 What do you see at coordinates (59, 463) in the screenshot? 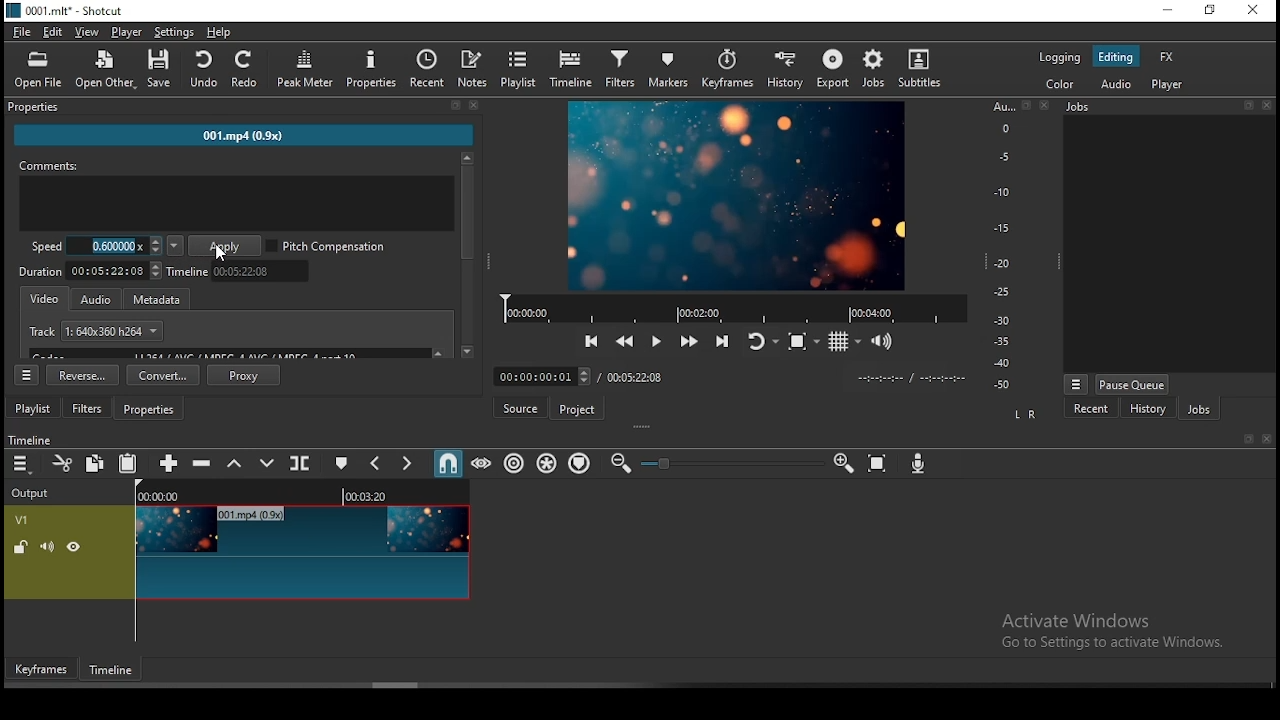
I see `cut` at bounding box center [59, 463].